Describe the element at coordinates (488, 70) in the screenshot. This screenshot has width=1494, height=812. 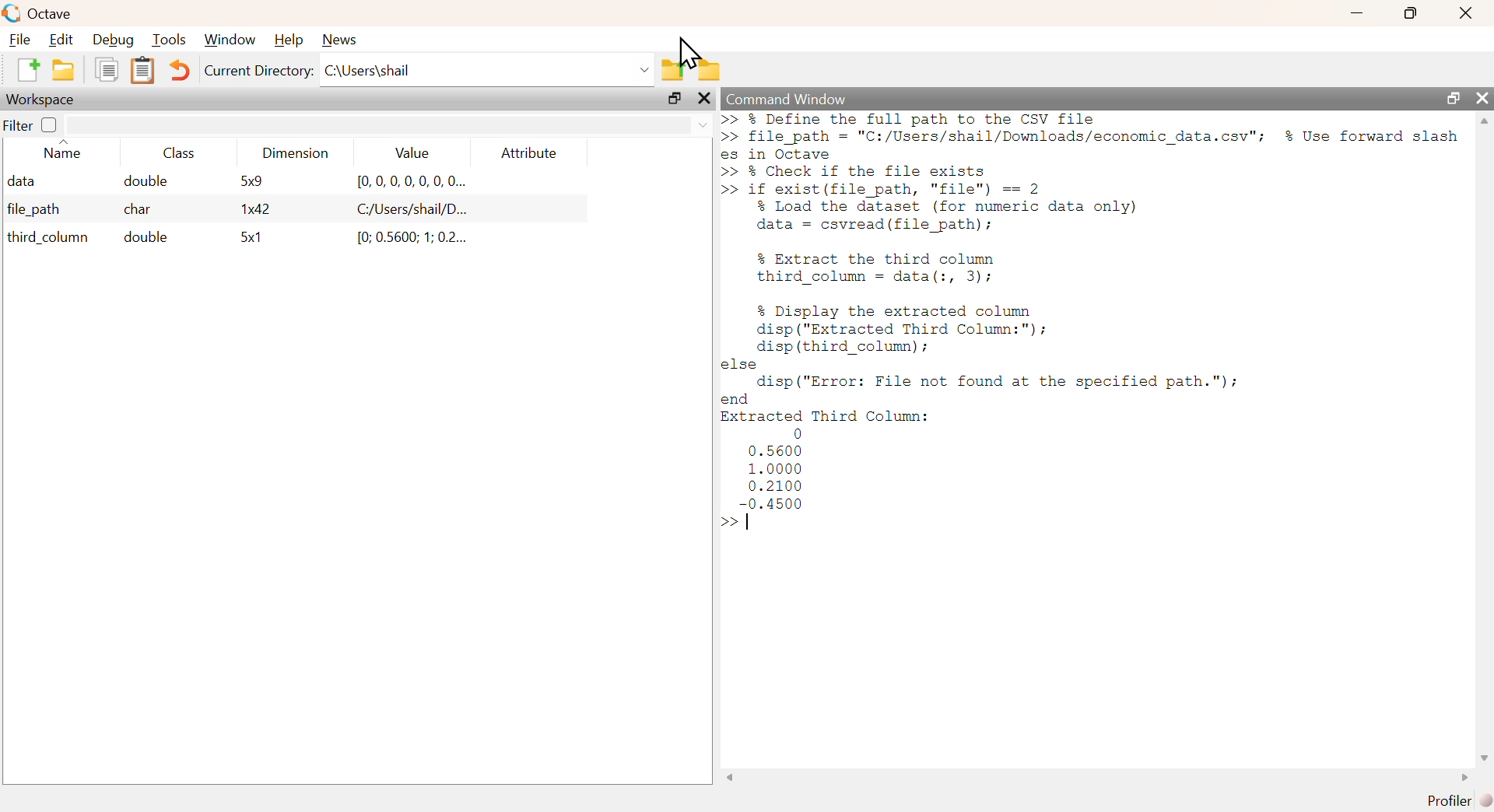
I see `C\Users\shail ` at that location.